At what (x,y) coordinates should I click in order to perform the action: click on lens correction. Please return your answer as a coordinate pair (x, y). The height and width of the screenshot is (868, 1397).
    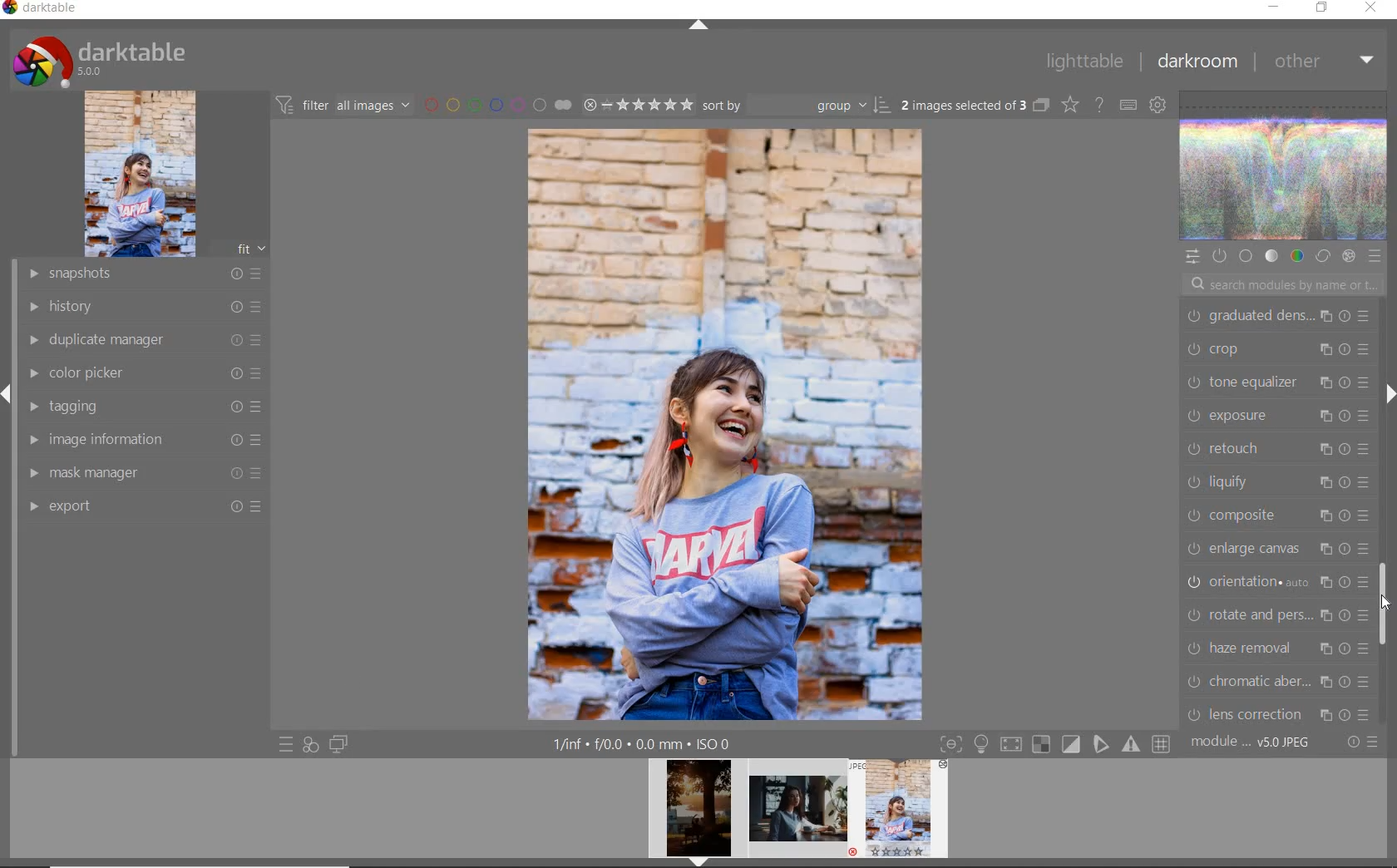
    Looking at the image, I should click on (1275, 713).